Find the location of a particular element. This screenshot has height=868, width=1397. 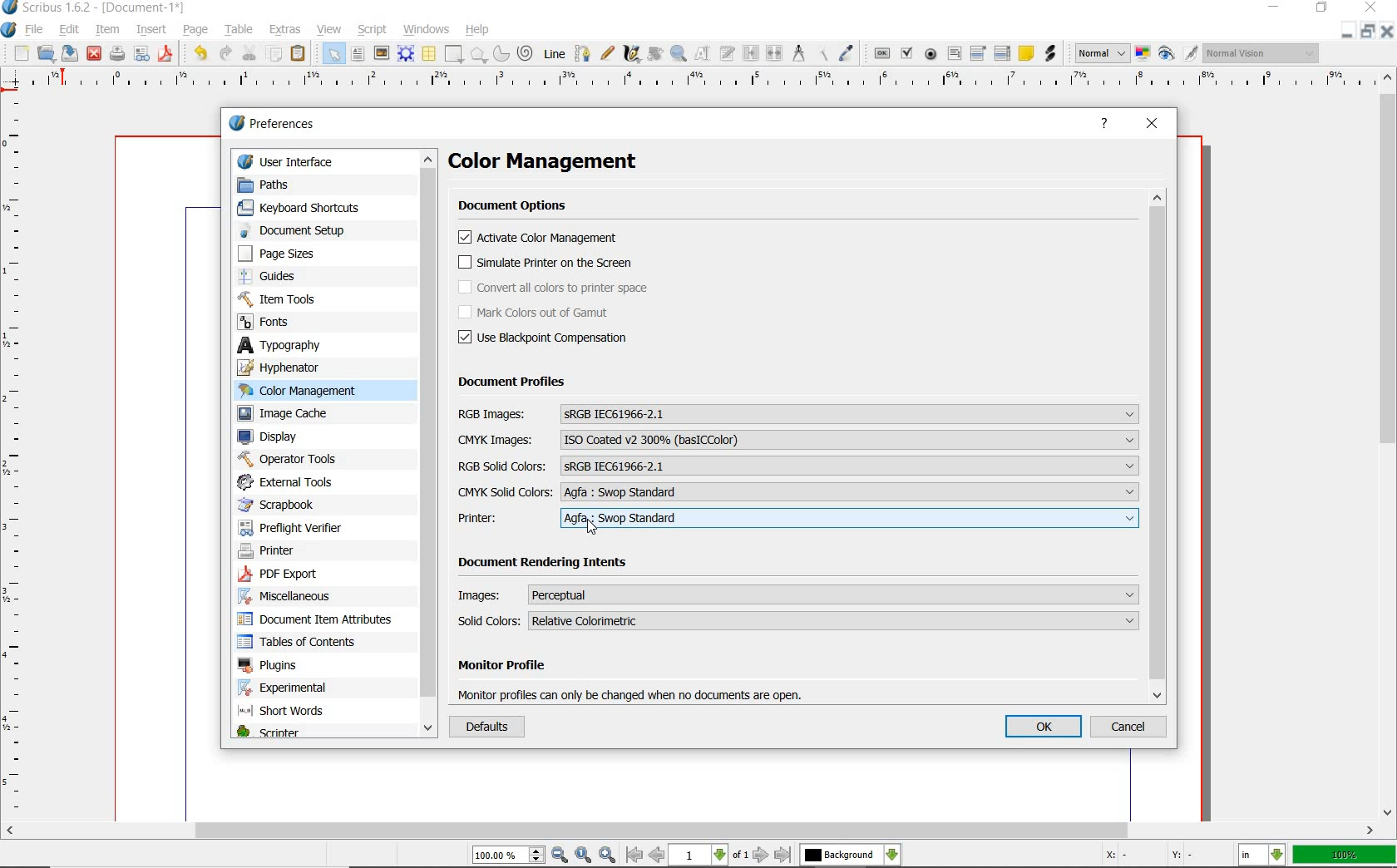

copy item properties is located at coordinates (824, 52).